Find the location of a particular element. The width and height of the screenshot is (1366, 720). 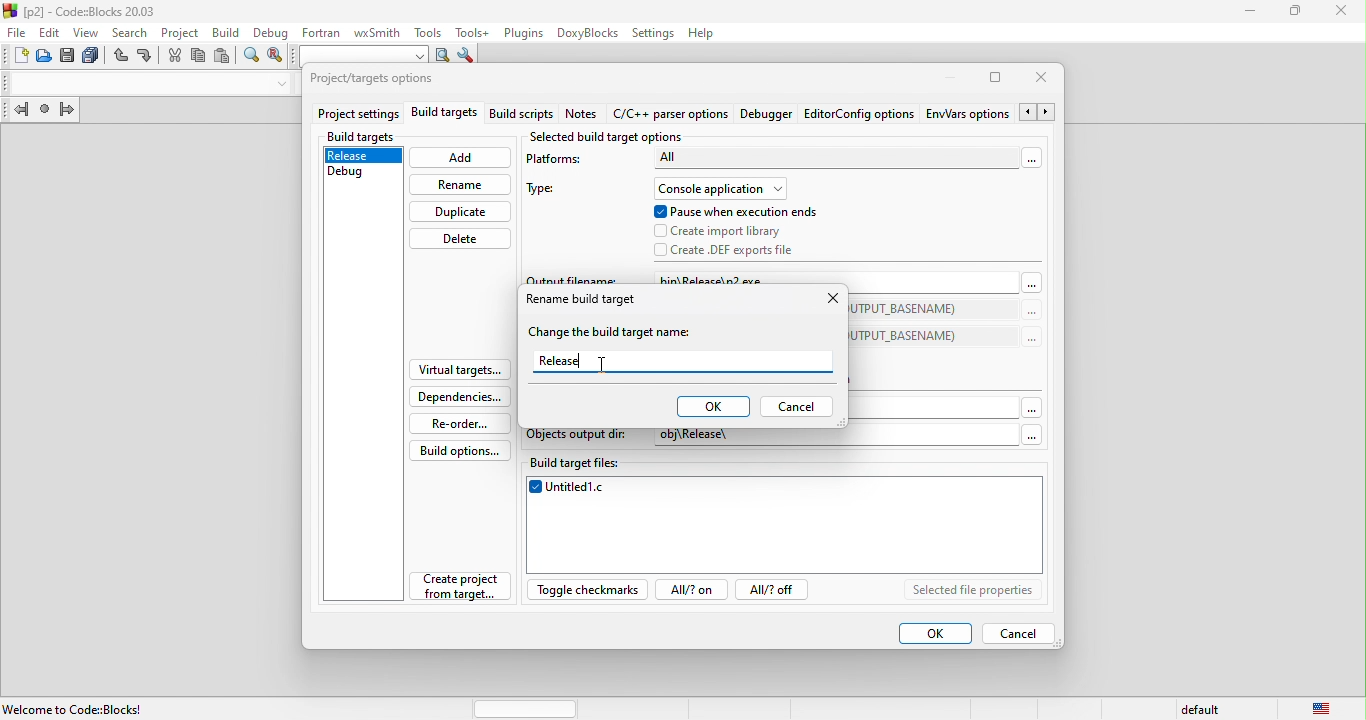

doxyblocks is located at coordinates (584, 33).